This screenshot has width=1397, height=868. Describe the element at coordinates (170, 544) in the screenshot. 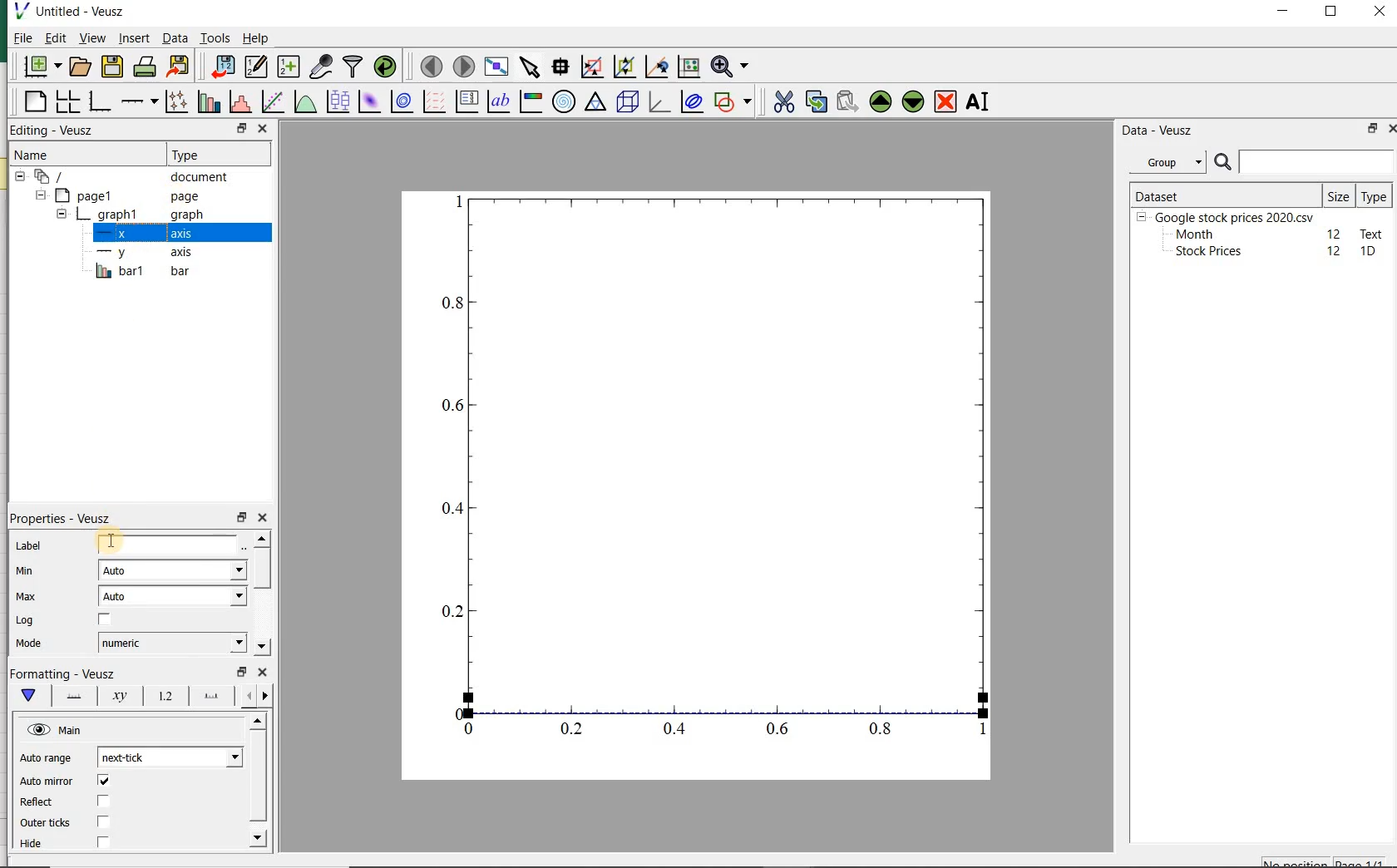

I see `input field` at that location.